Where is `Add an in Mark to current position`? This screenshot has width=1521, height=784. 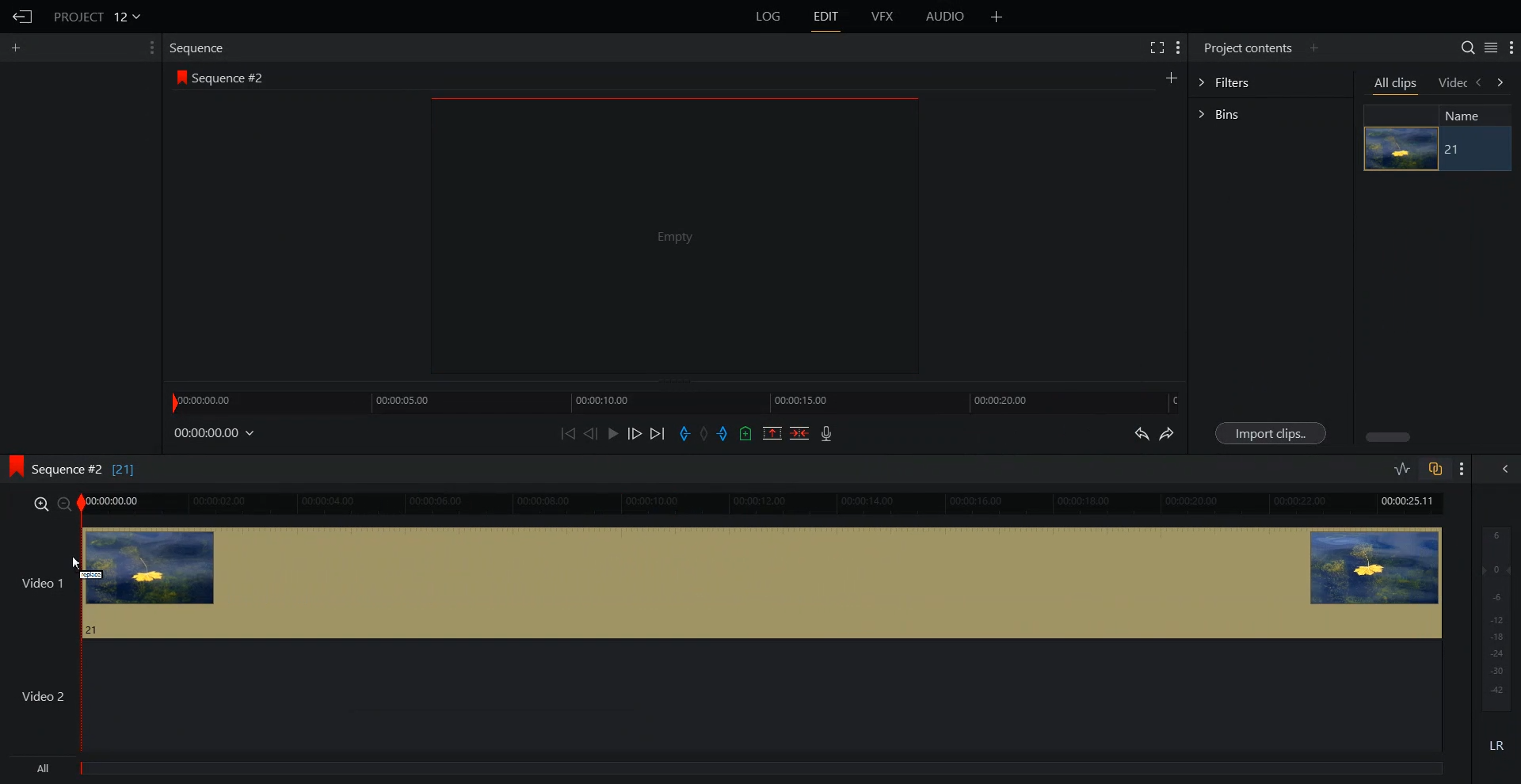 Add an in Mark to current position is located at coordinates (684, 433).